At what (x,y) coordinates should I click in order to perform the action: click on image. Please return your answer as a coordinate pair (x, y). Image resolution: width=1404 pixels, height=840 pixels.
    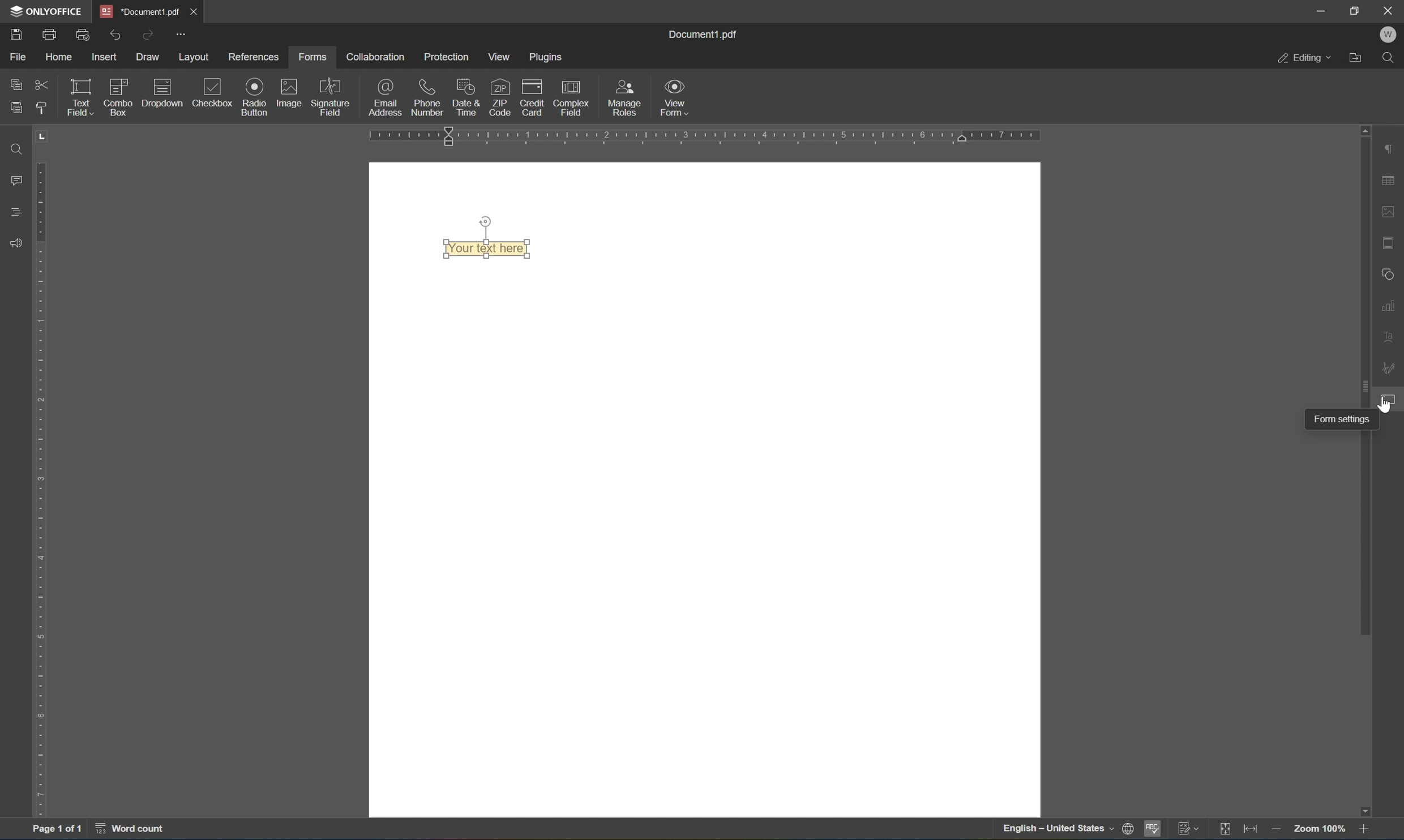
    Looking at the image, I should click on (292, 94).